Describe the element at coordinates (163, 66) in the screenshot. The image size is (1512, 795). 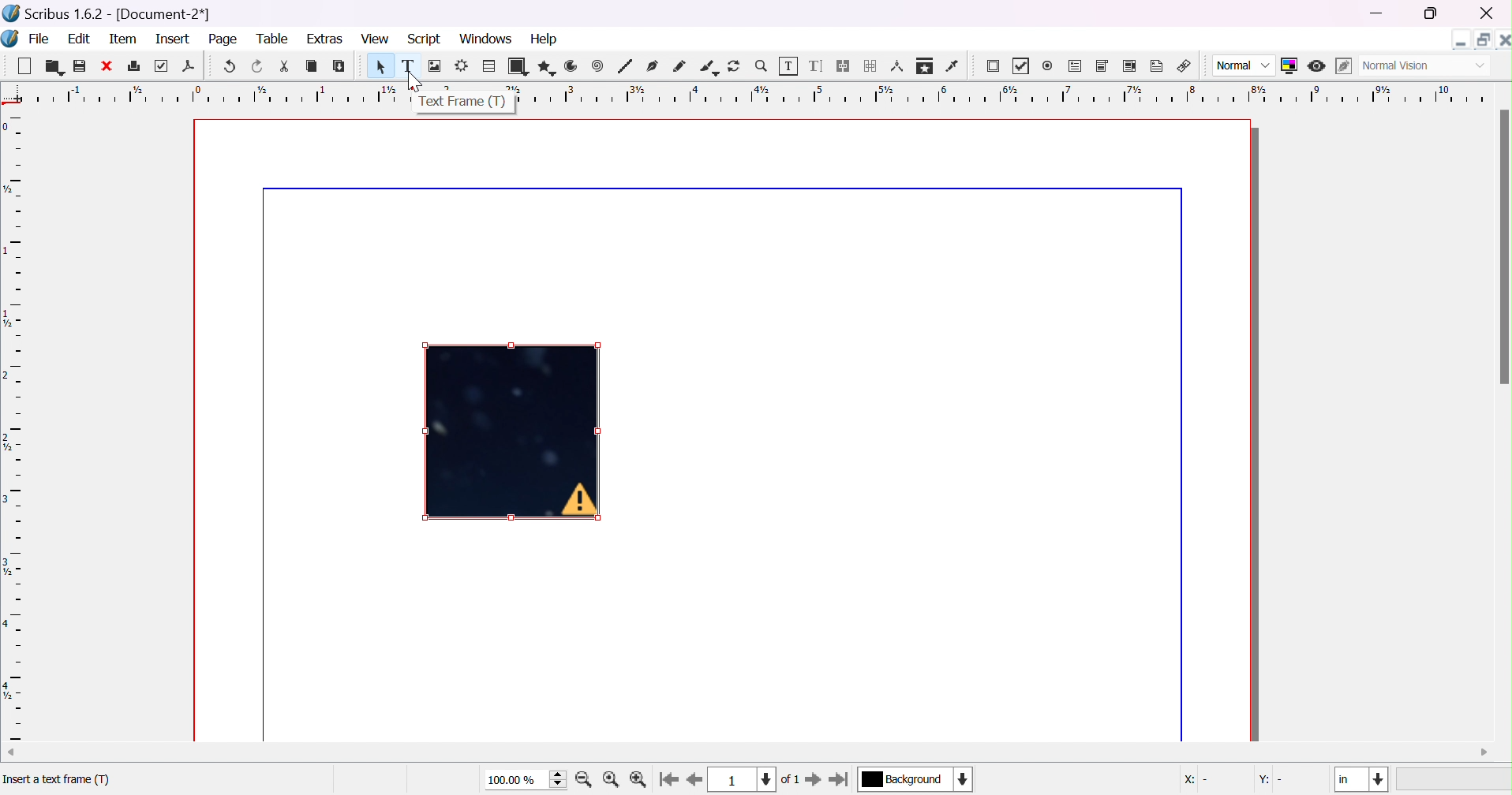
I see `preflight verifier` at that location.